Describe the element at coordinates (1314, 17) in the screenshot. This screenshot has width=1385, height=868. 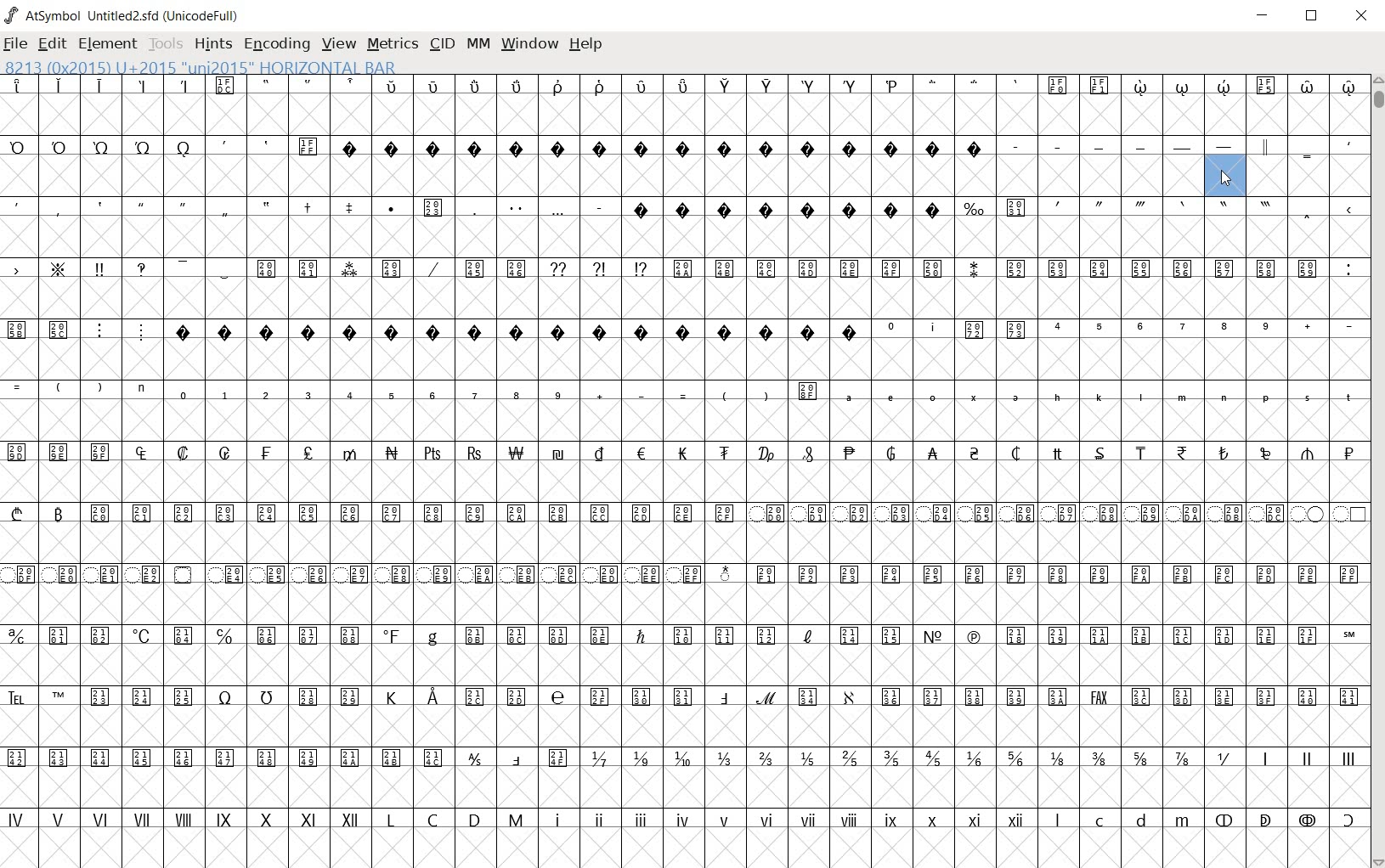
I see `RESTORE DOWN` at that location.